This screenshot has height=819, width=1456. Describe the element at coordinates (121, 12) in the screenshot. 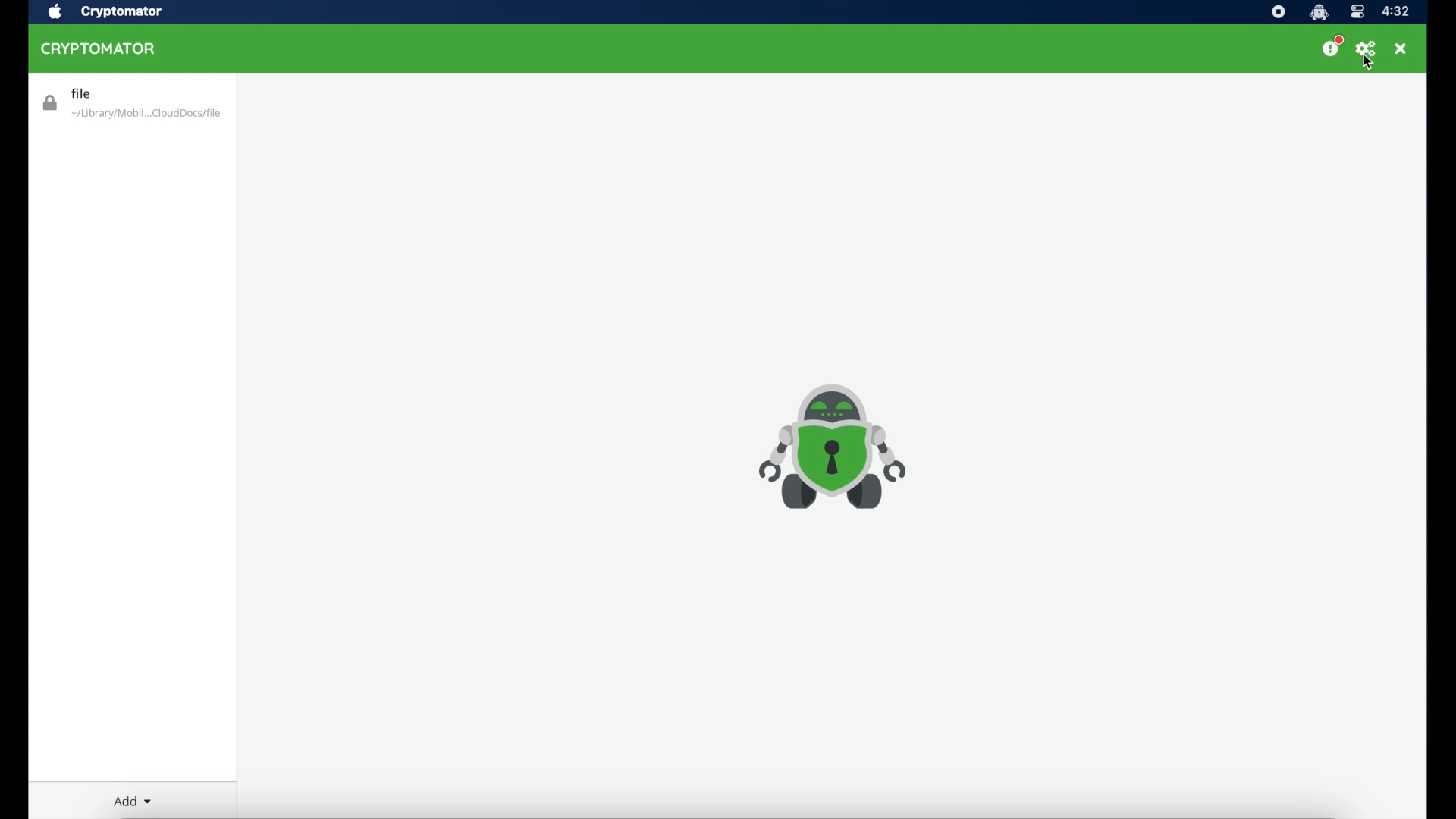

I see `cryptomator` at that location.